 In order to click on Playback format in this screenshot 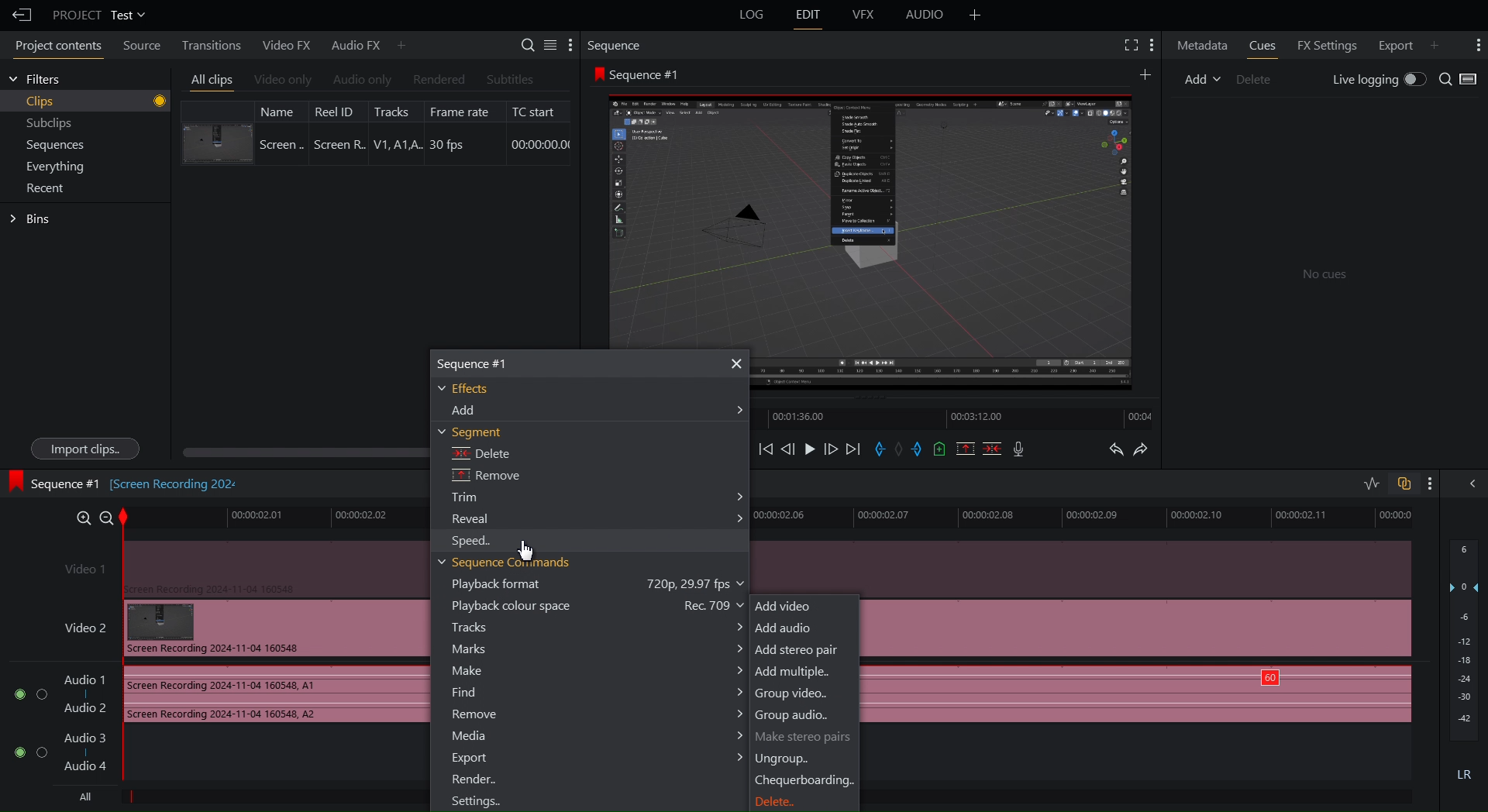, I will do `click(601, 583)`.